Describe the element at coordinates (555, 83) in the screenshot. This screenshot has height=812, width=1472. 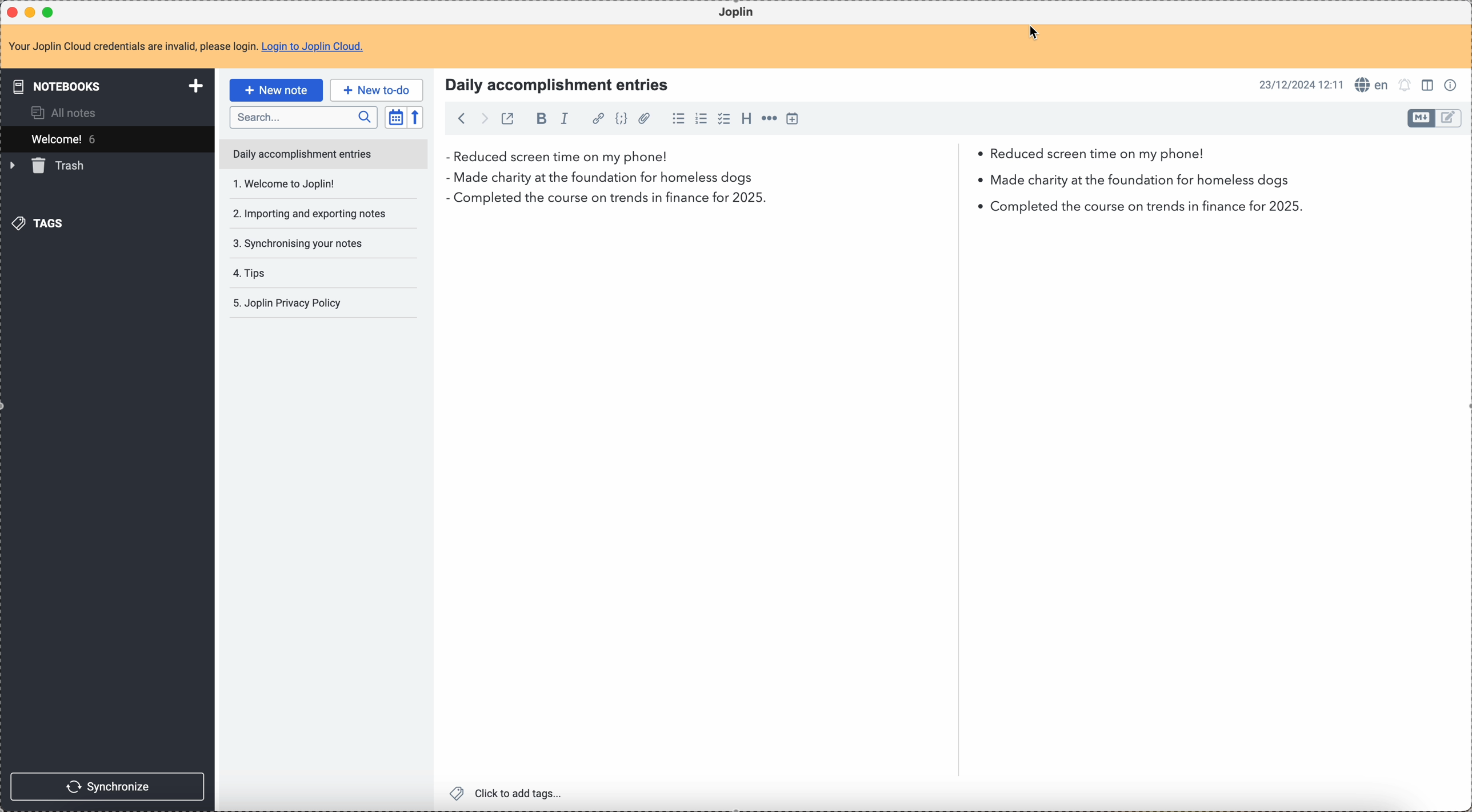
I see `Title` at that location.